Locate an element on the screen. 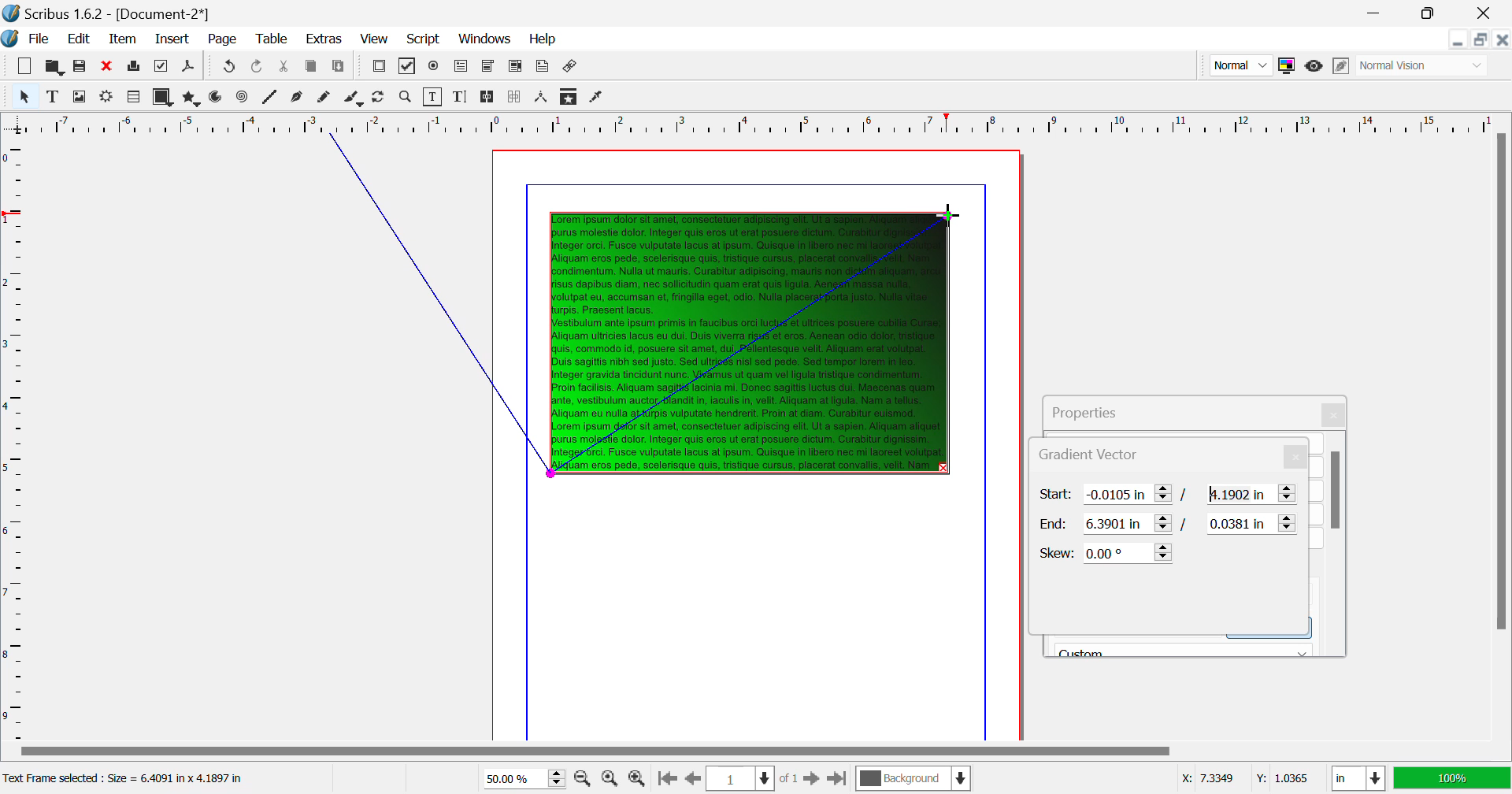 This screenshot has height=794, width=1512. Page is located at coordinates (221, 40).